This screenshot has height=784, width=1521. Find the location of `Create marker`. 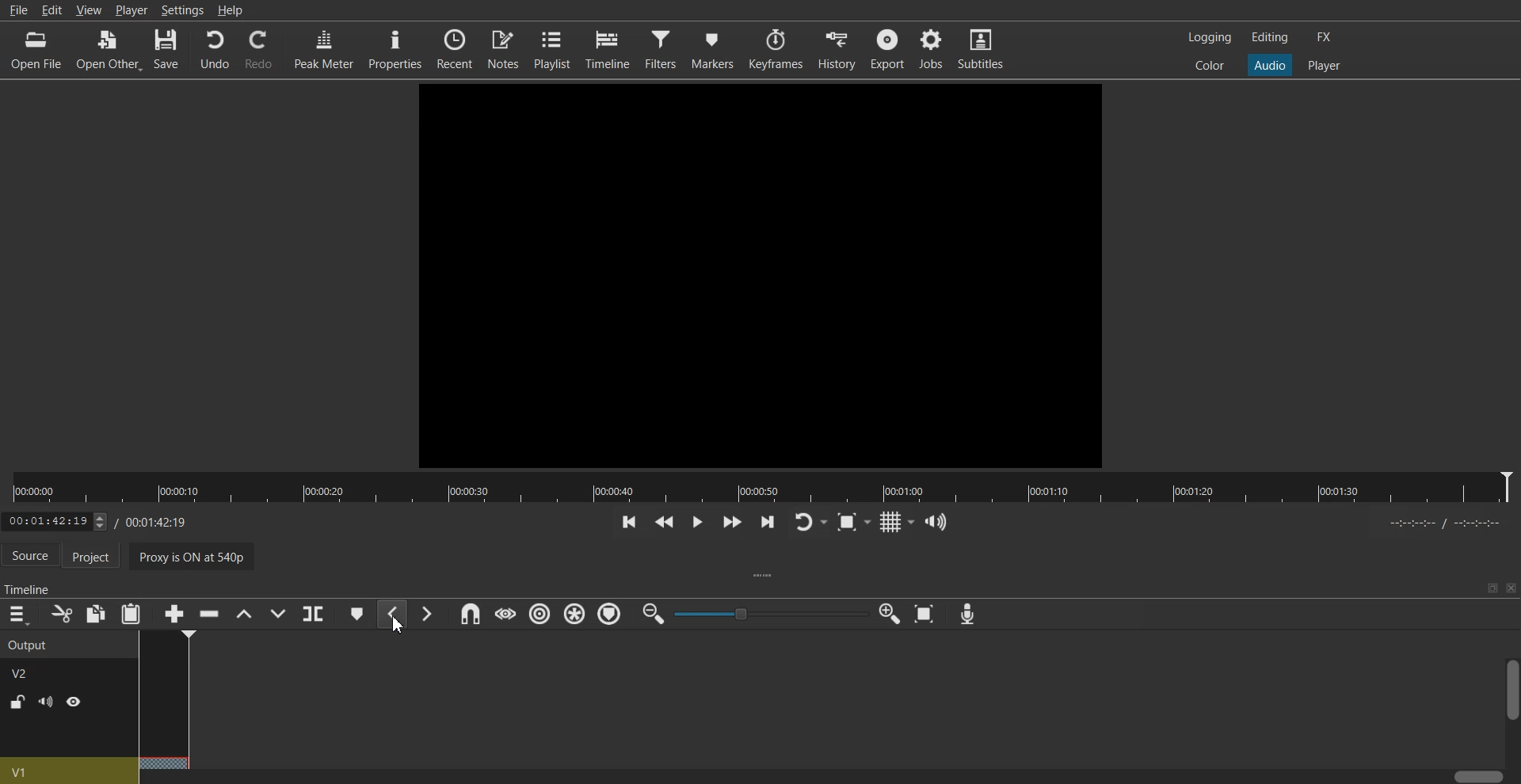

Create marker is located at coordinates (356, 614).